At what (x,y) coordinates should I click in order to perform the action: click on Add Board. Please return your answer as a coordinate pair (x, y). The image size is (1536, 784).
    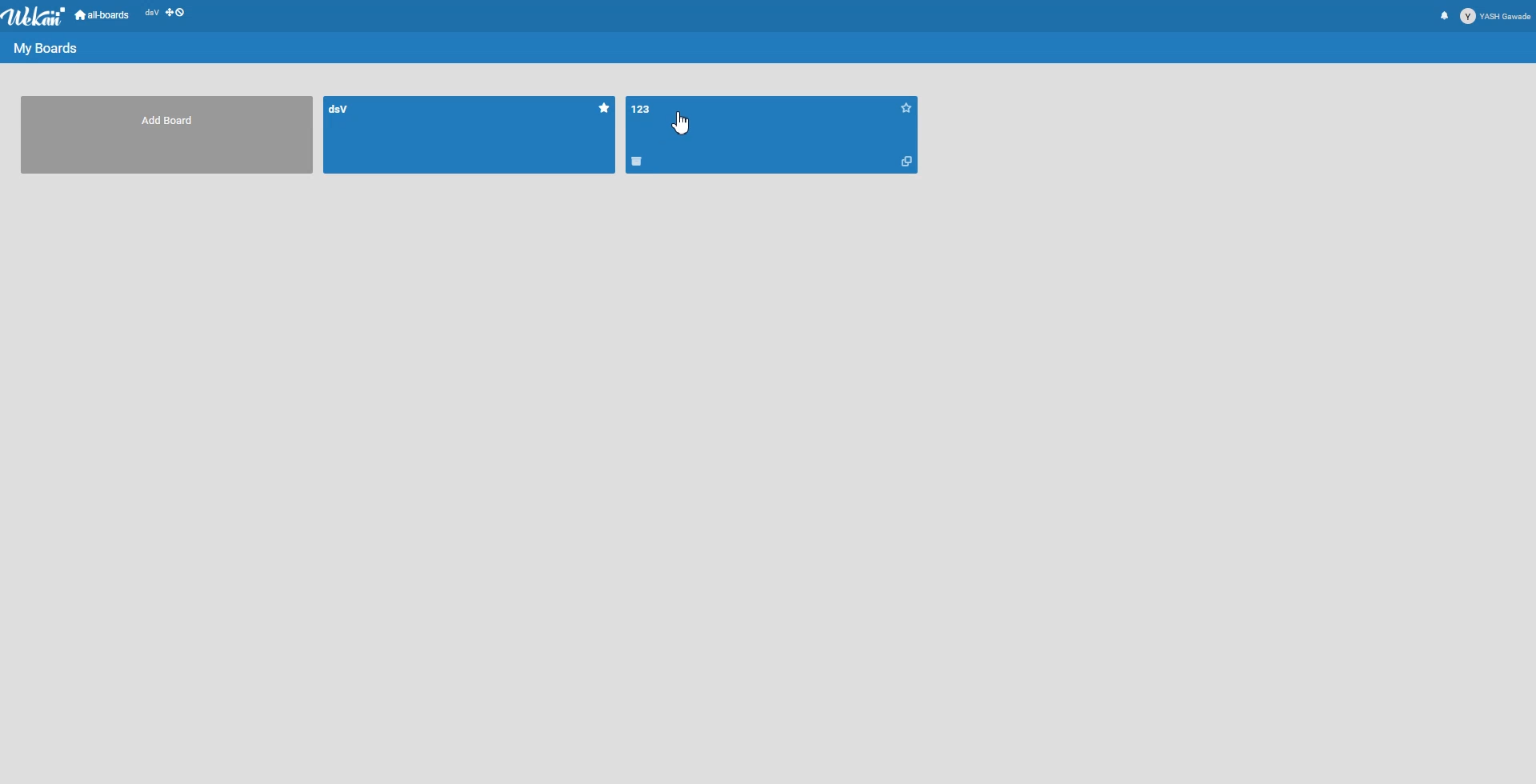
    Looking at the image, I should click on (166, 134).